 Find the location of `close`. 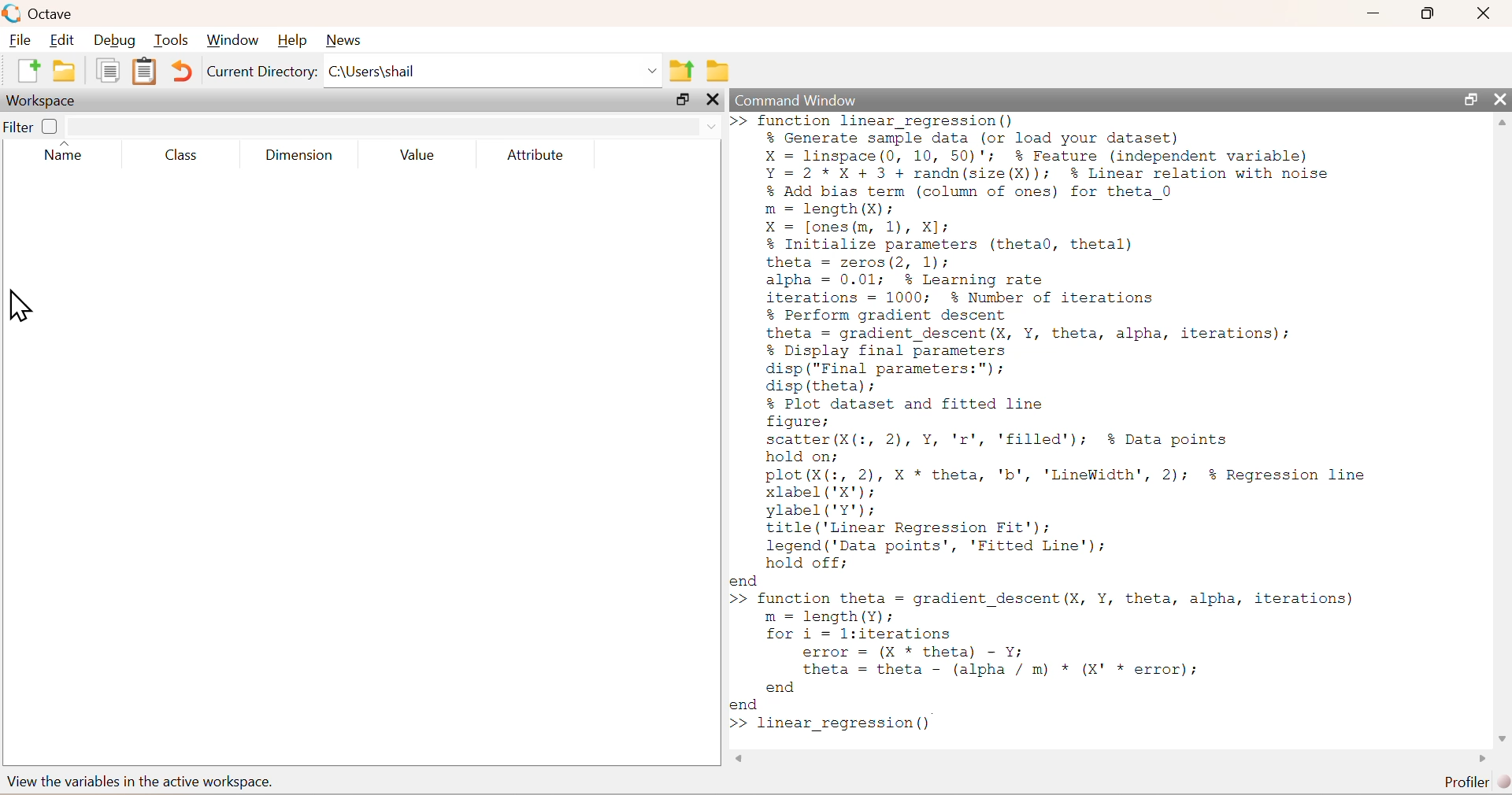

close is located at coordinates (1502, 99).